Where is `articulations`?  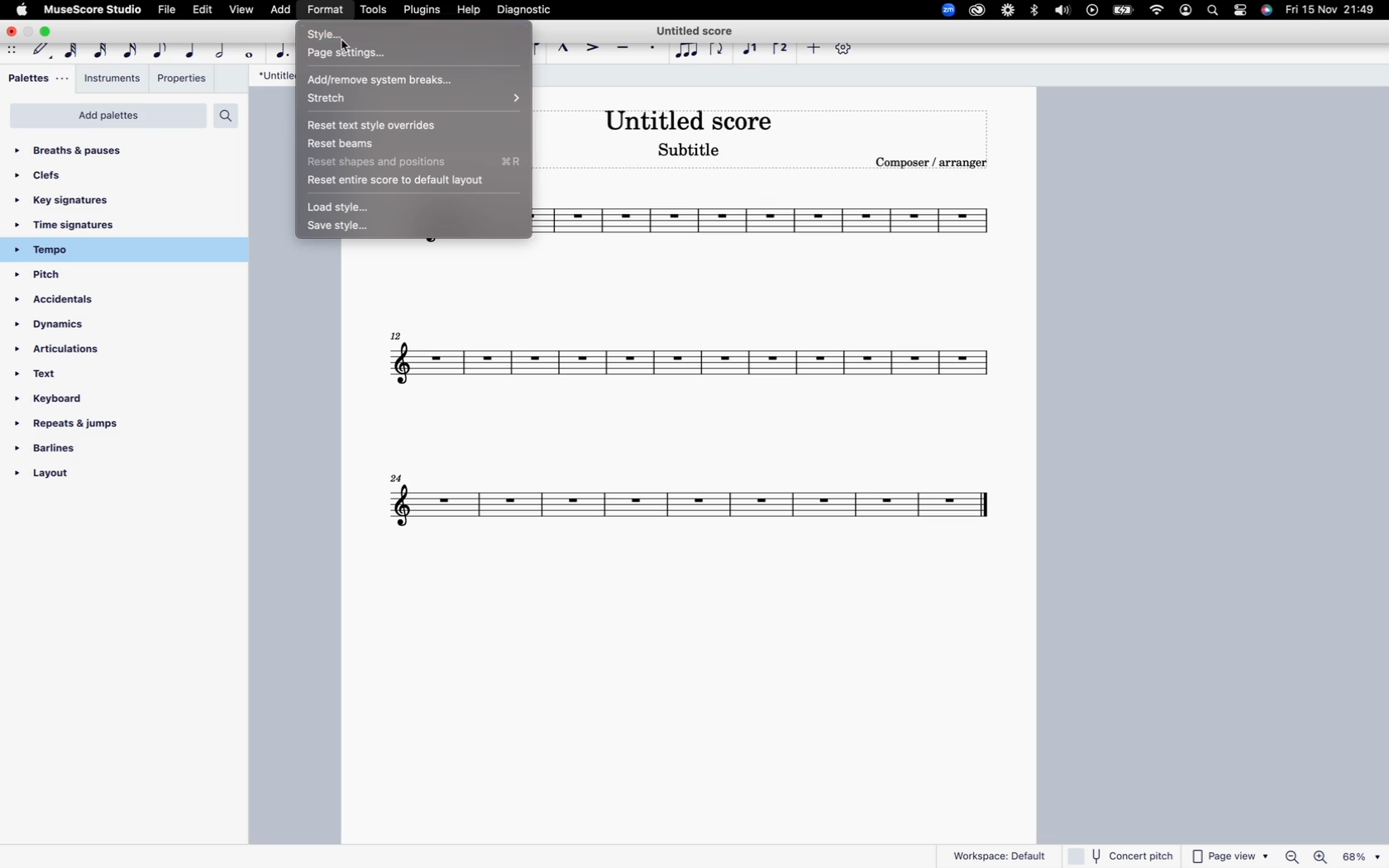 articulations is located at coordinates (68, 353).